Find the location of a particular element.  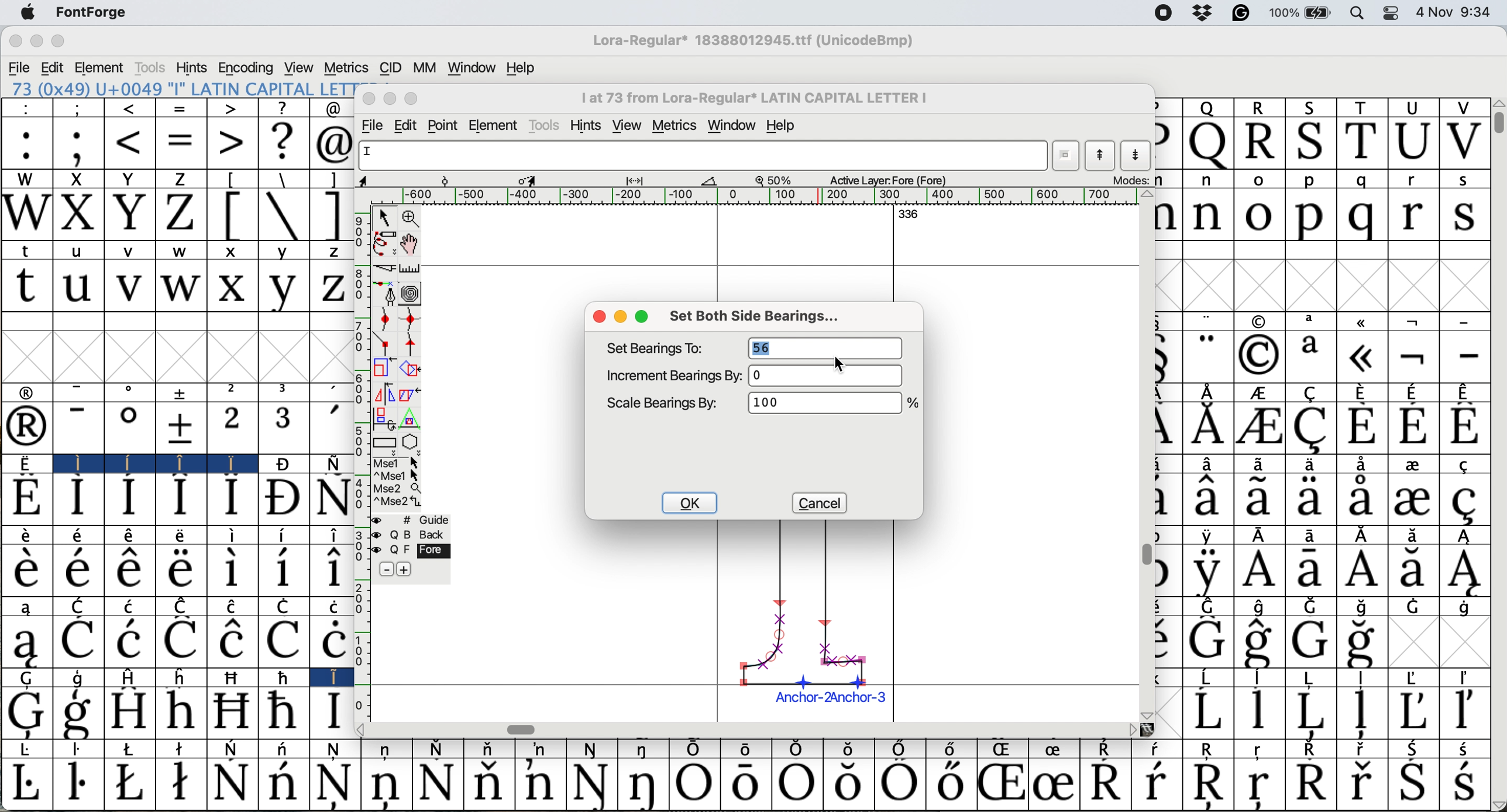

R is located at coordinates (1261, 143).